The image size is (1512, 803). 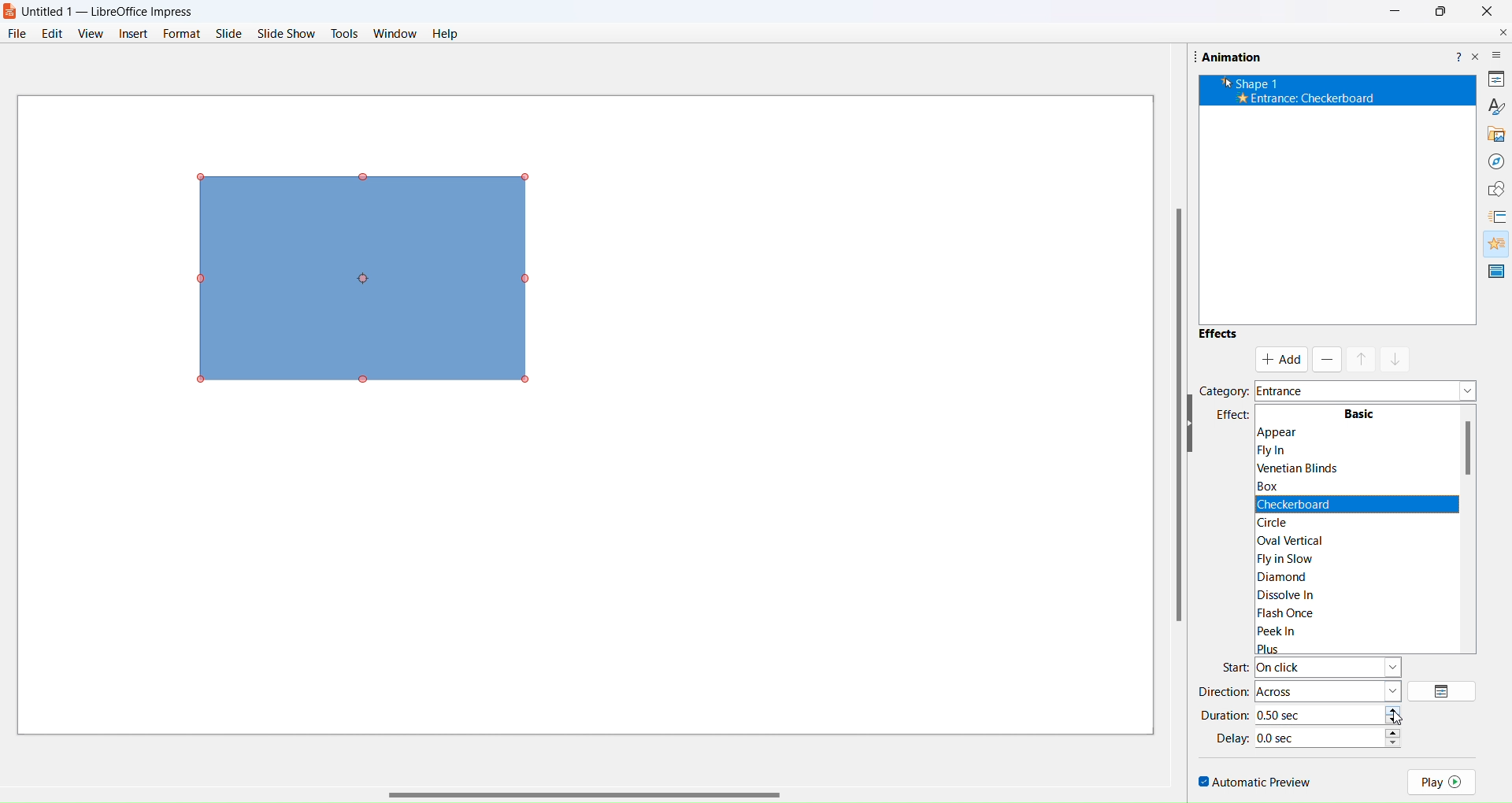 I want to click on gallery, so click(x=1493, y=134).